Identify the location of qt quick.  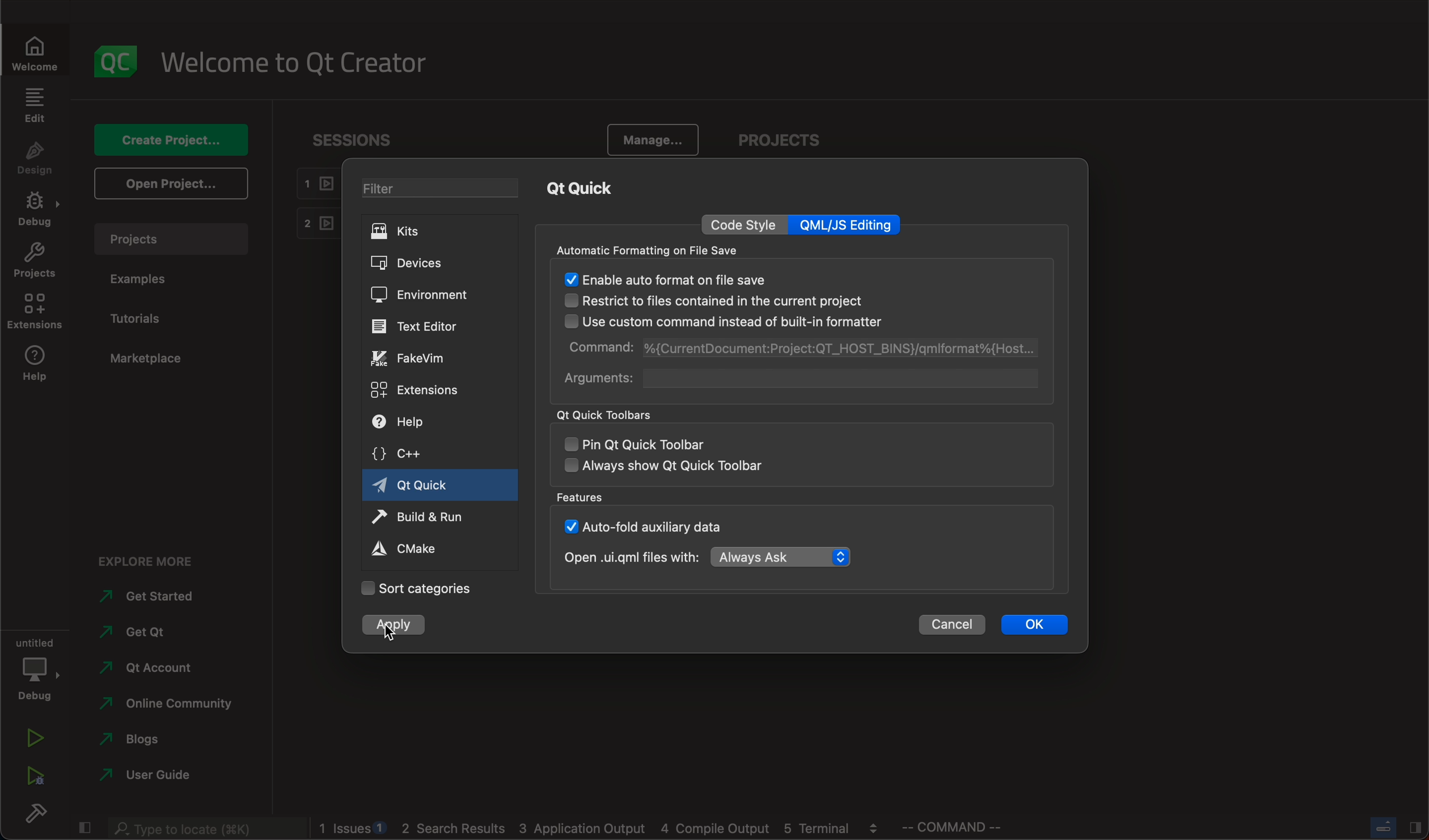
(607, 414).